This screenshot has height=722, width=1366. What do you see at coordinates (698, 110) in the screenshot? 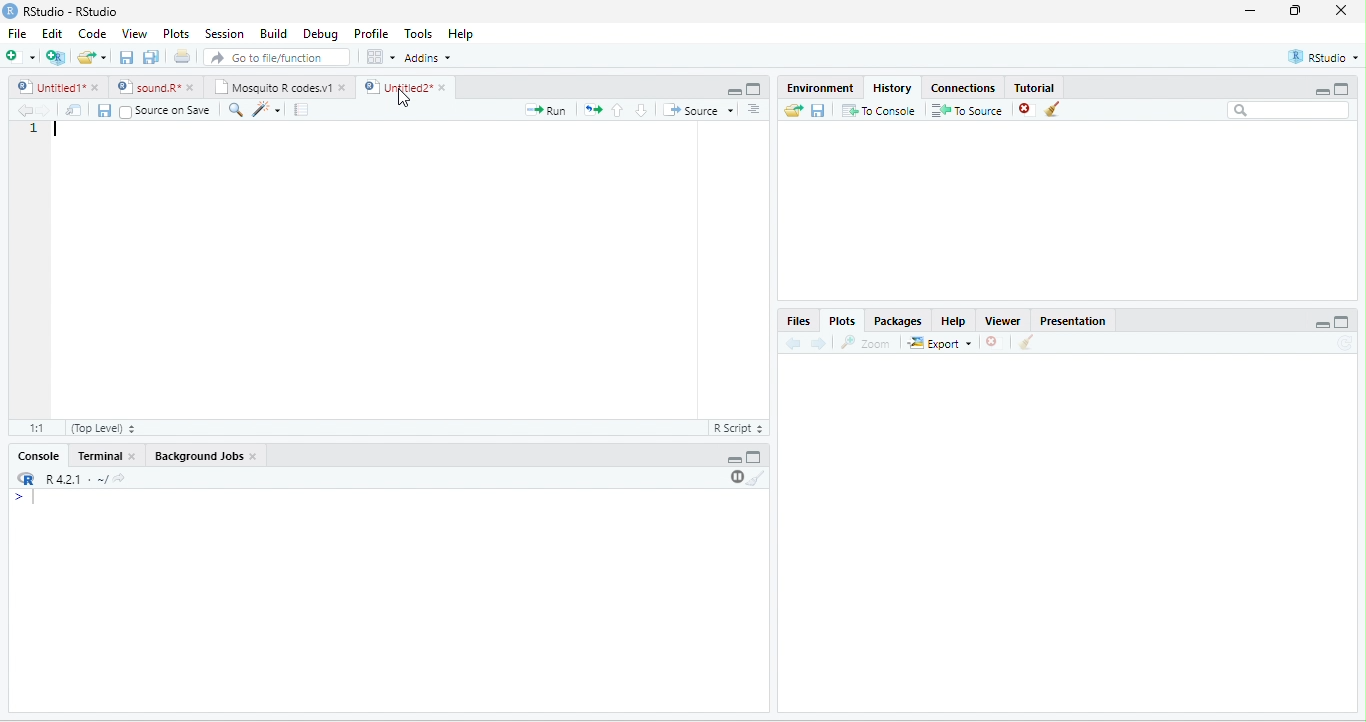
I see `Source` at bounding box center [698, 110].